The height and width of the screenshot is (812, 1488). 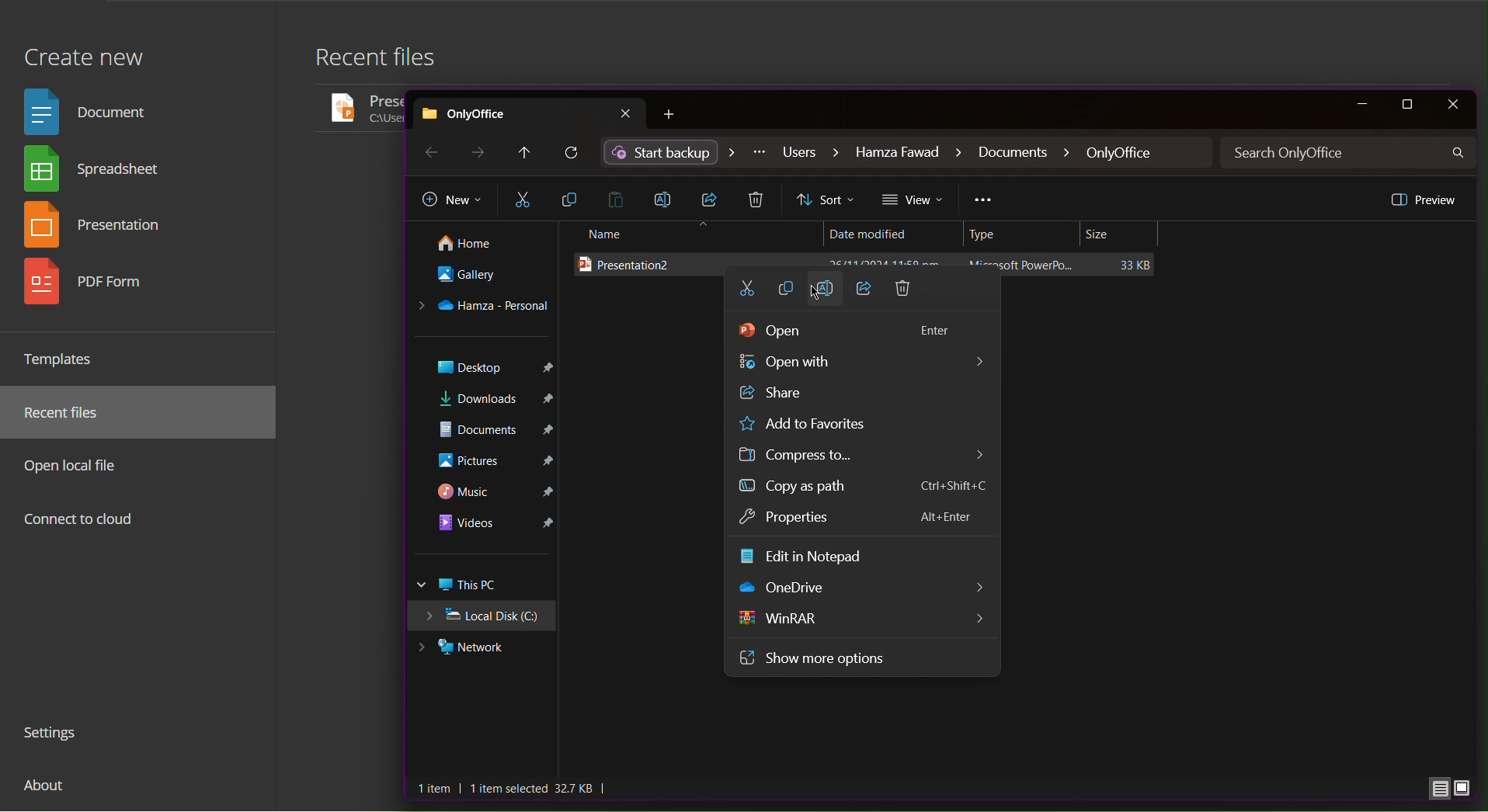 What do you see at coordinates (797, 519) in the screenshot?
I see `Properties` at bounding box center [797, 519].